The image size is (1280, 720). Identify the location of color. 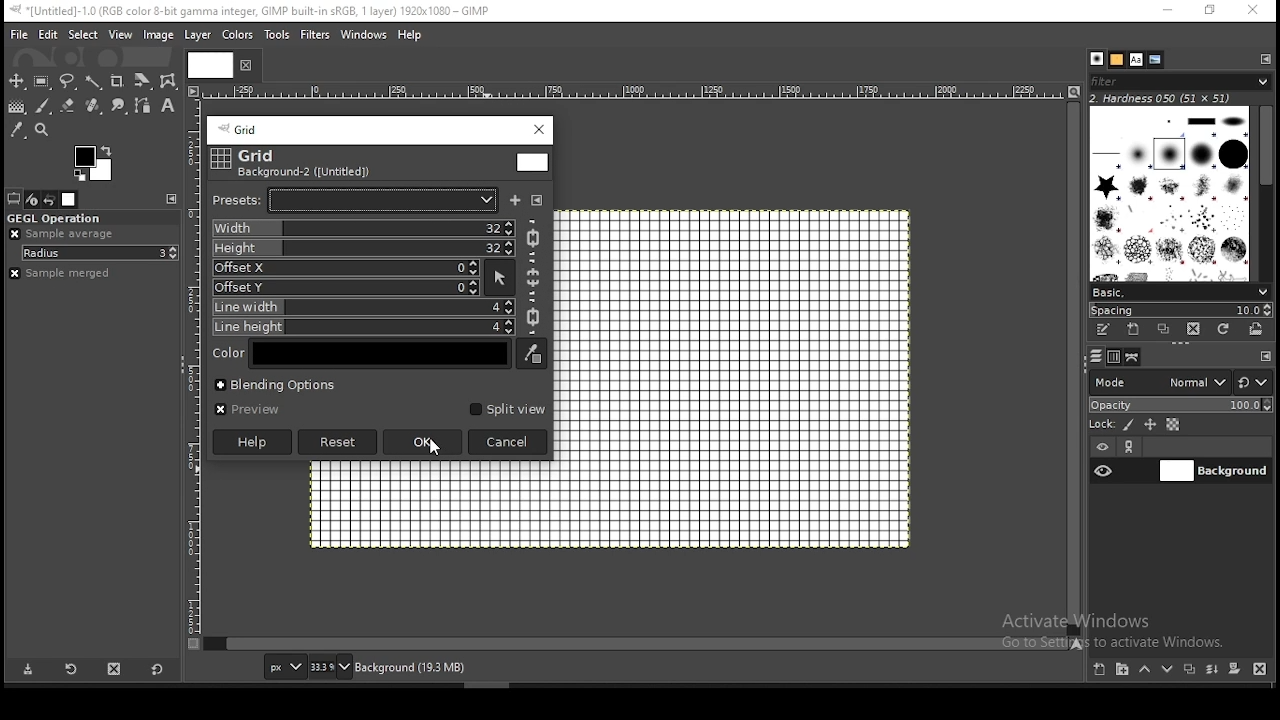
(230, 354).